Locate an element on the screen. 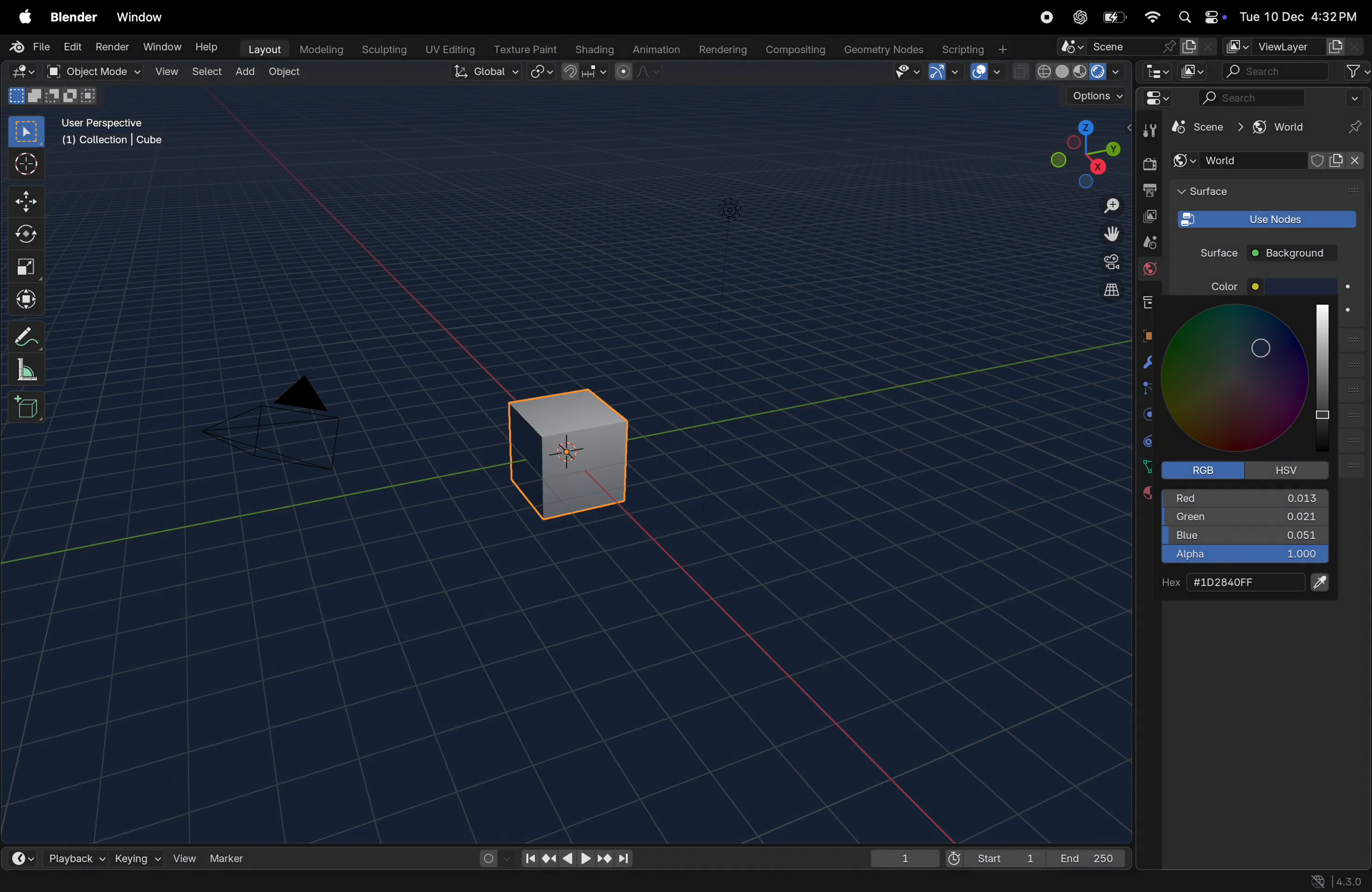 The image size is (1372, 892). Animation is located at coordinates (654, 50).